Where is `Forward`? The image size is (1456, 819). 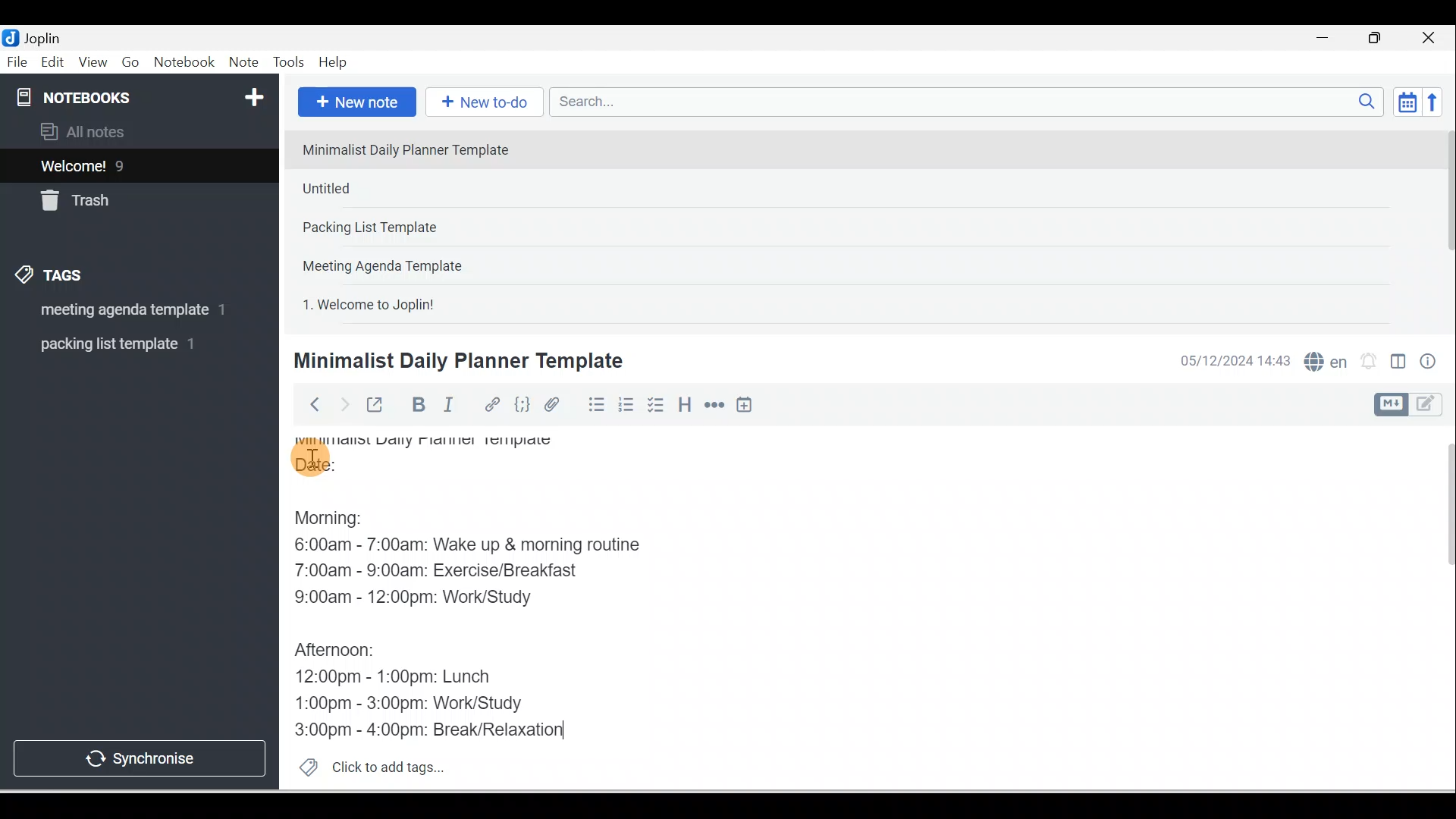 Forward is located at coordinates (343, 403).